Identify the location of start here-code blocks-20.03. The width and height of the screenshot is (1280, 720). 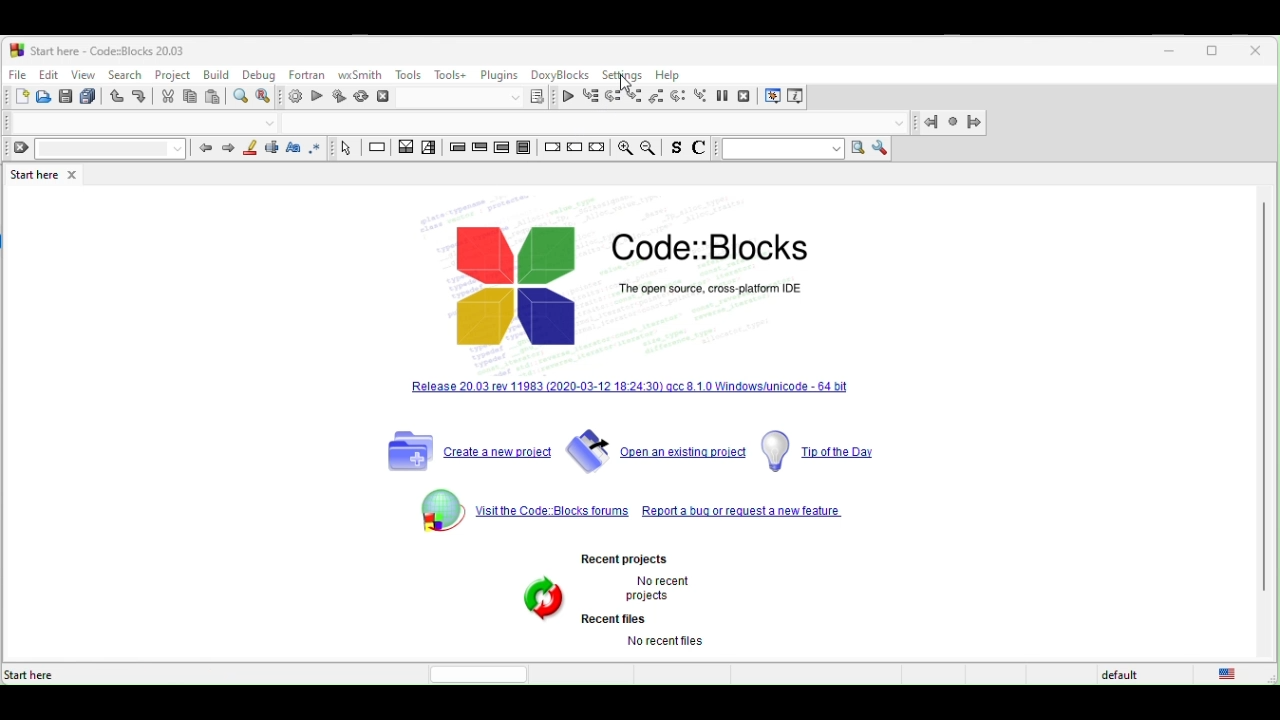
(97, 49).